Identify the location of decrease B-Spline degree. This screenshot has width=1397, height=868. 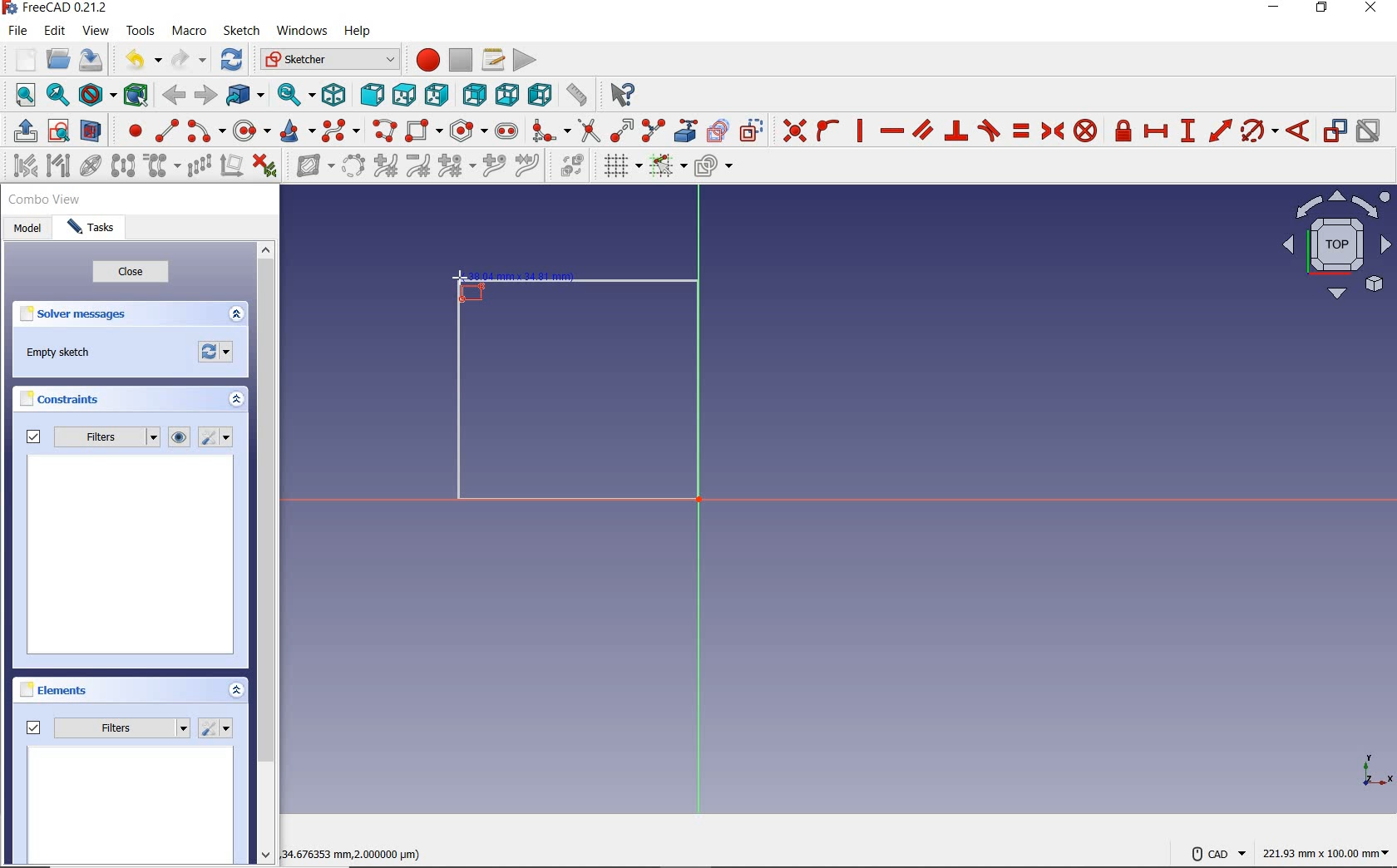
(419, 168).